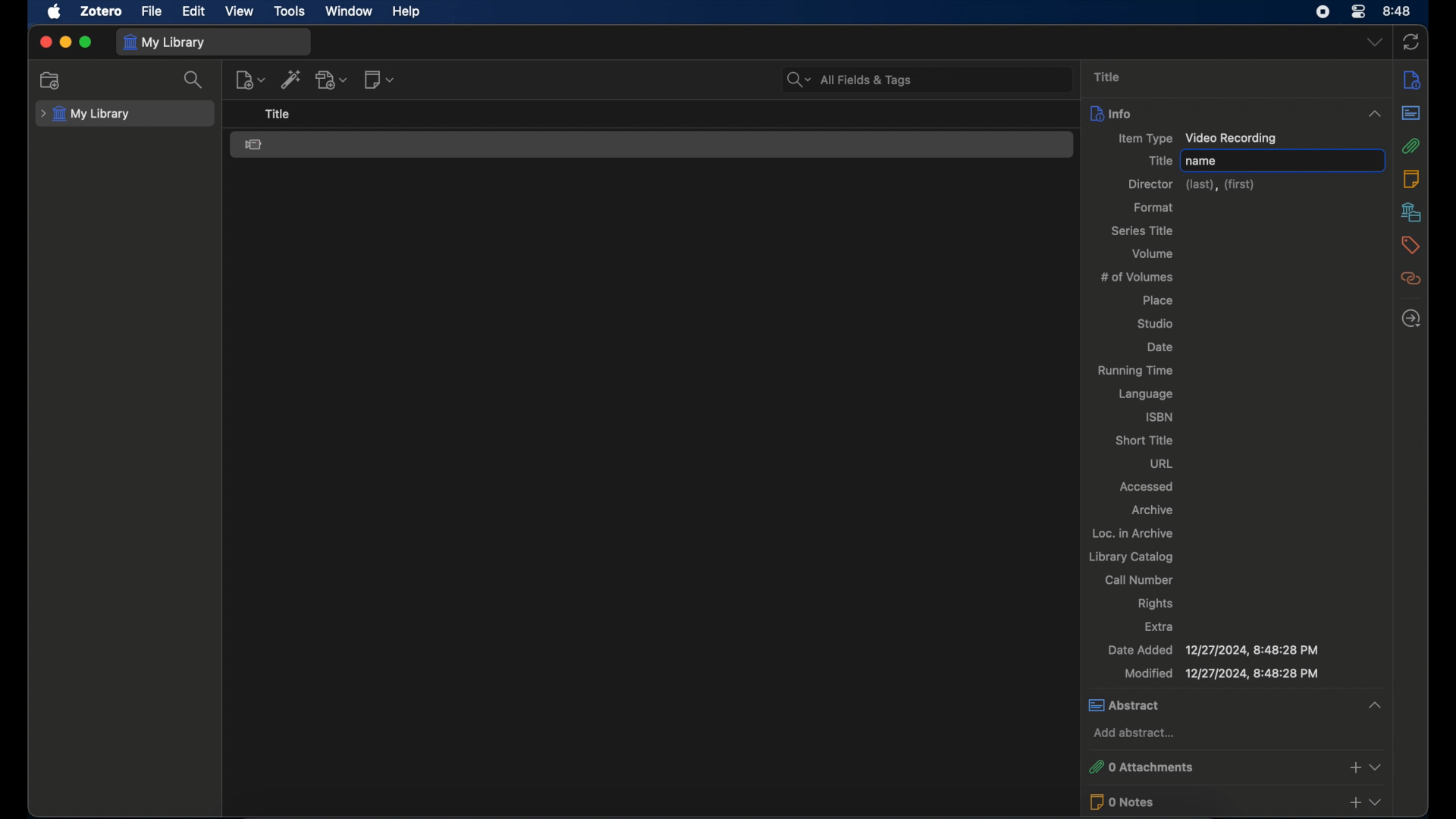  What do you see at coordinates (1210, 802) in the screenshot?
I see `0 notes` at bounding box center [1210, 802].